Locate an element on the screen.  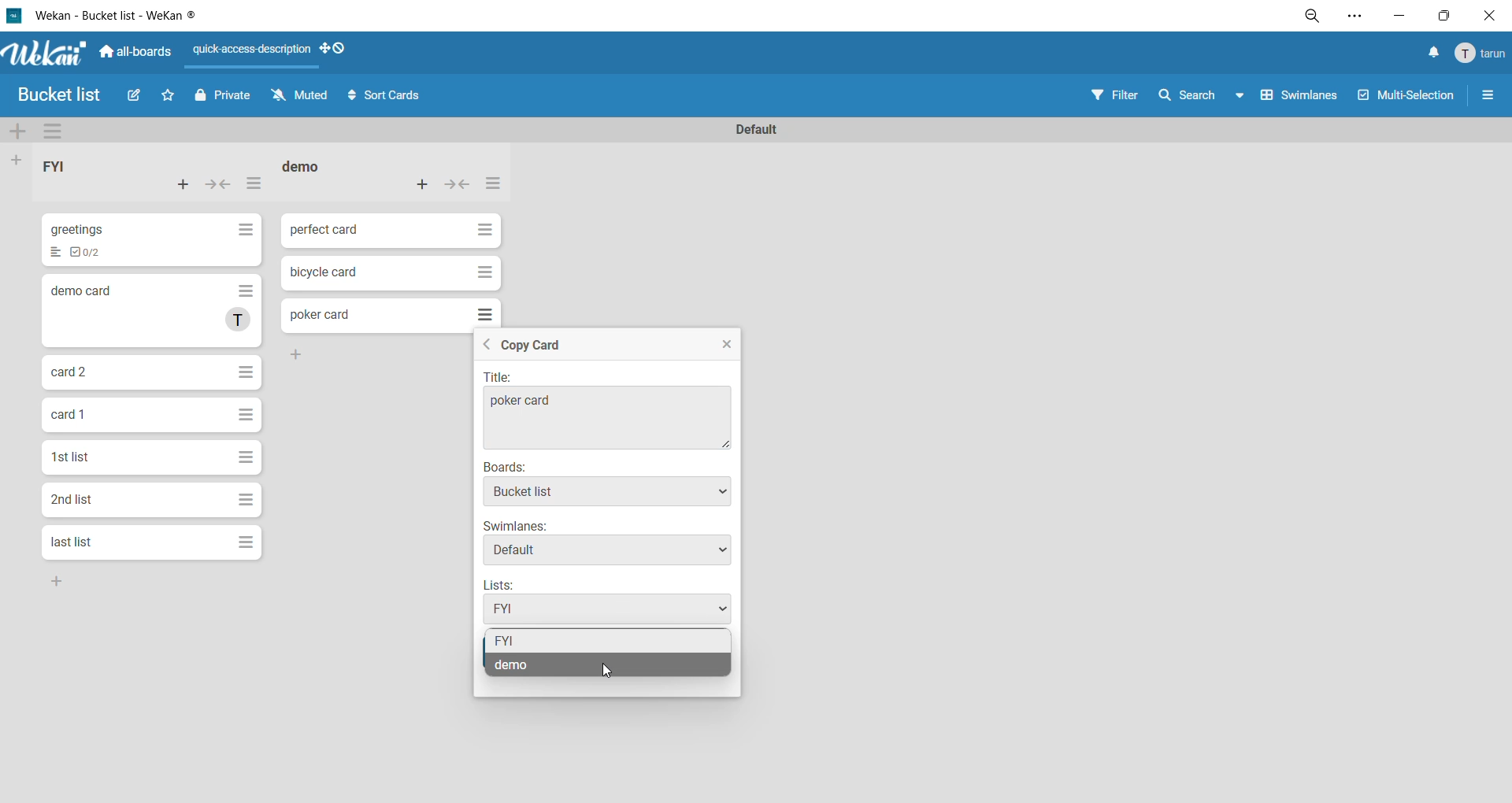
demo is located at coordinates (520, 662).